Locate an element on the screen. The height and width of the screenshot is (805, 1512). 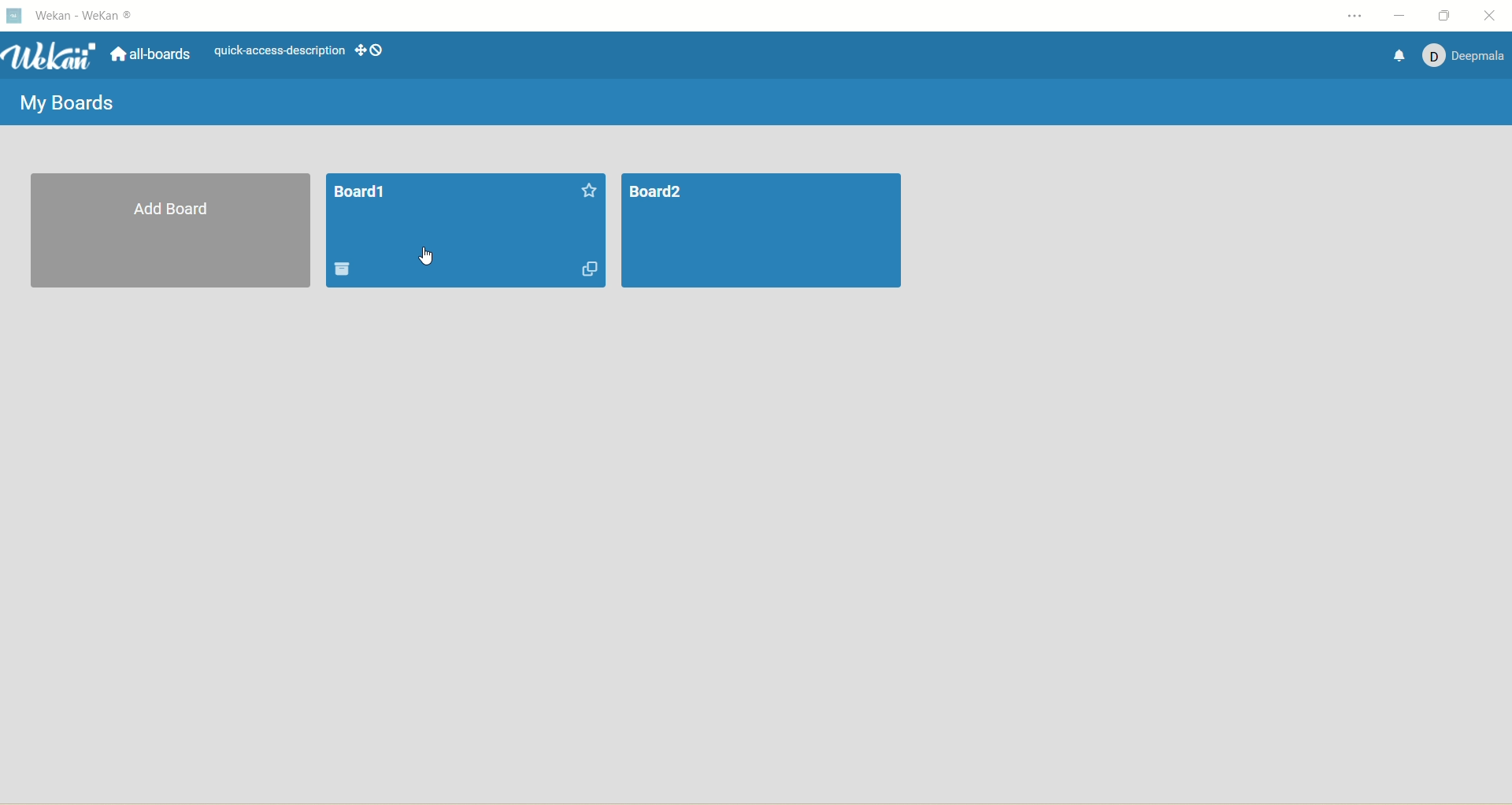
logo is located at coordinates (18, 17).